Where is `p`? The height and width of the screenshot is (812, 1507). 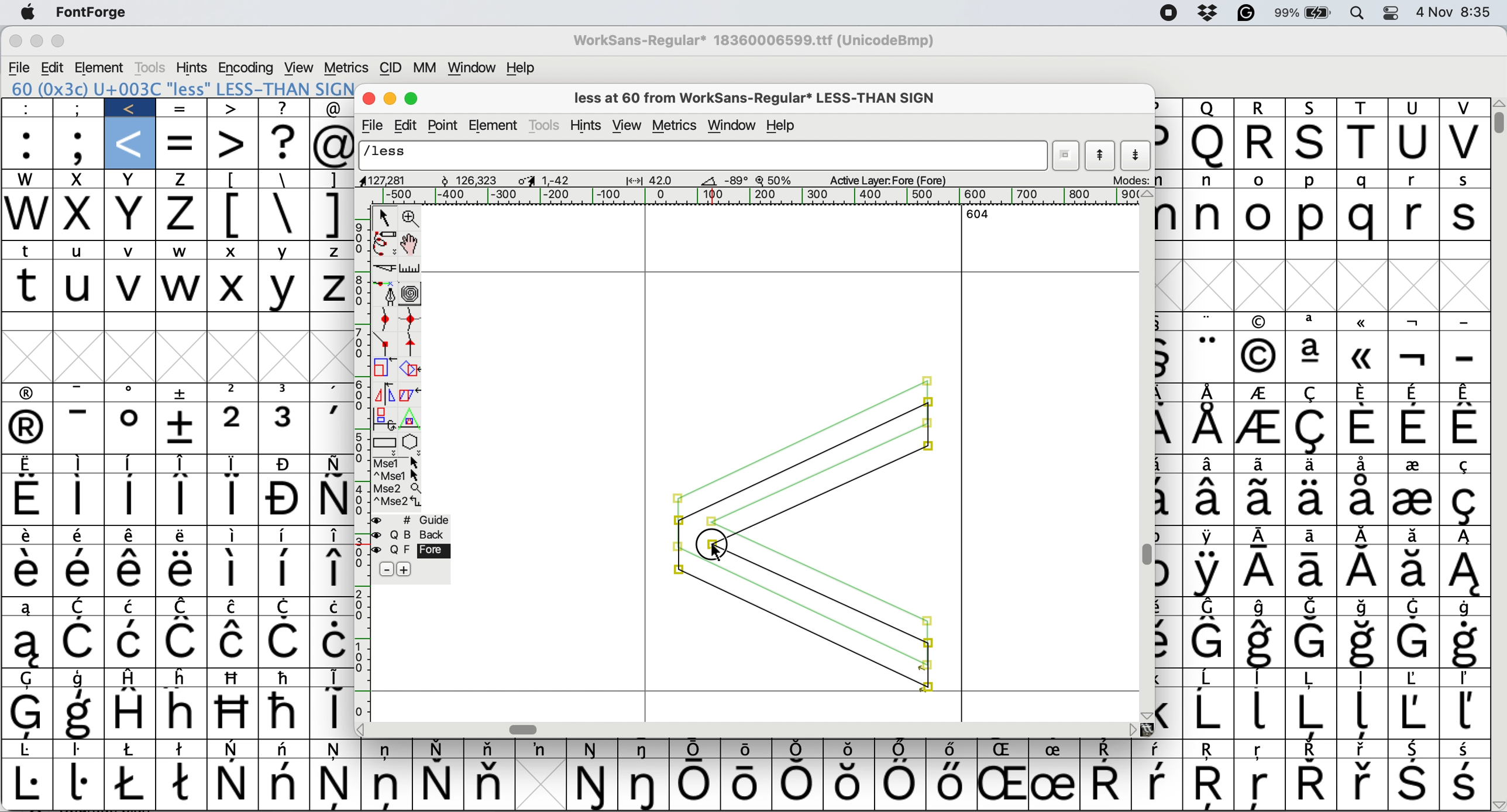 p is located at coordinates (1309, 216).